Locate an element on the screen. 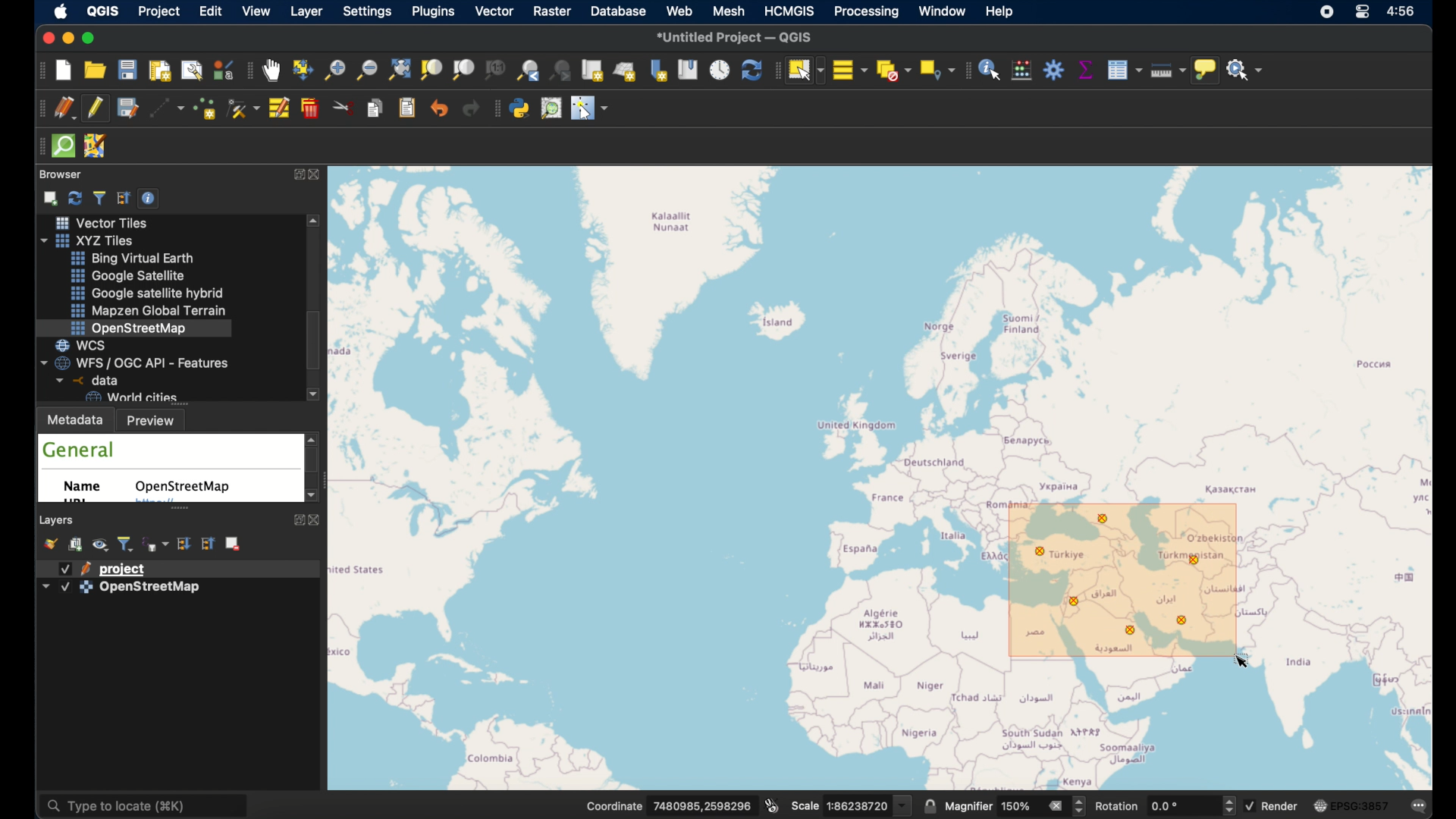  toggle extents and mouse display position is located at coordinates (773, 804).